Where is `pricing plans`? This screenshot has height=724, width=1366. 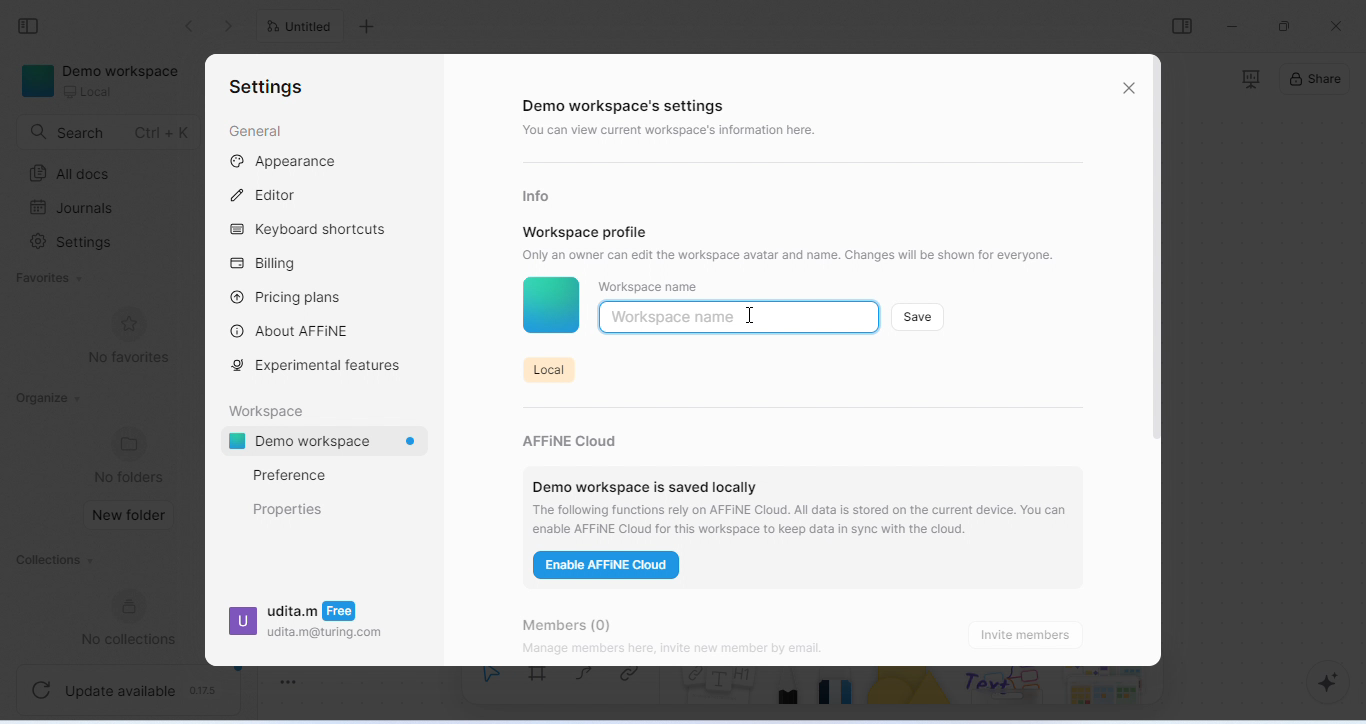
pricing plans is located at coordinates (287, 296).